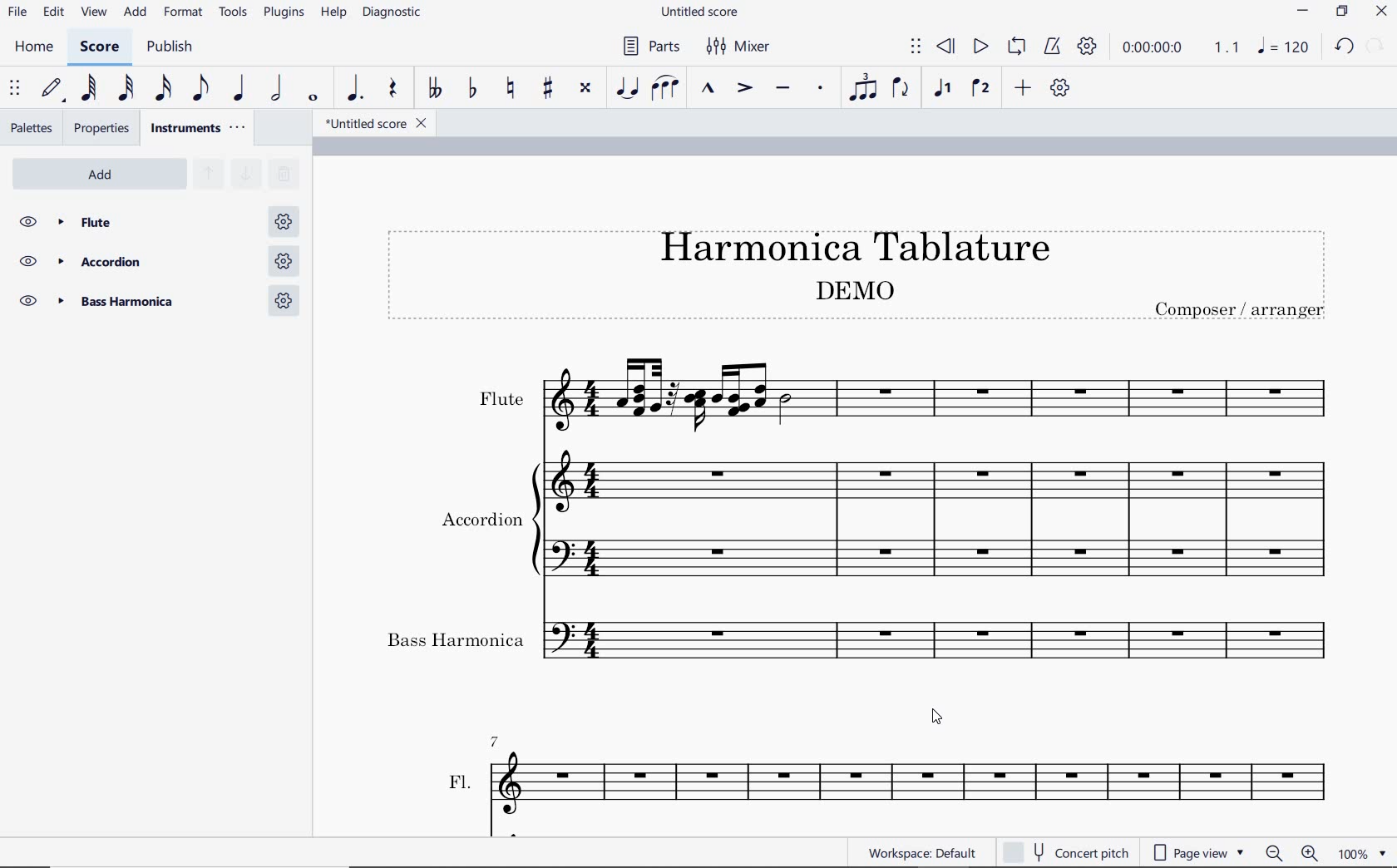 This screenshot has height=868, width=1397. I want to click on playback settings, so click(1086, 47).